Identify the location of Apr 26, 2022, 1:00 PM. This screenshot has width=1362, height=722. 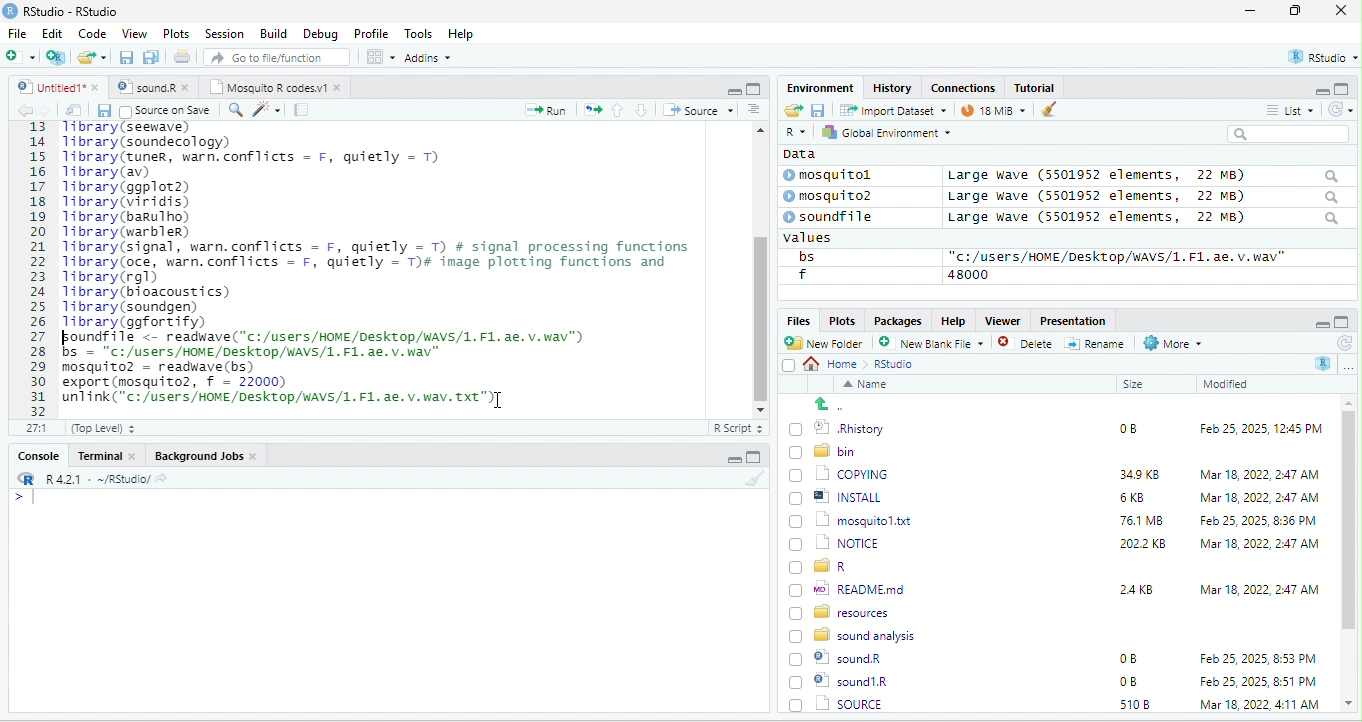
(1260, 706).